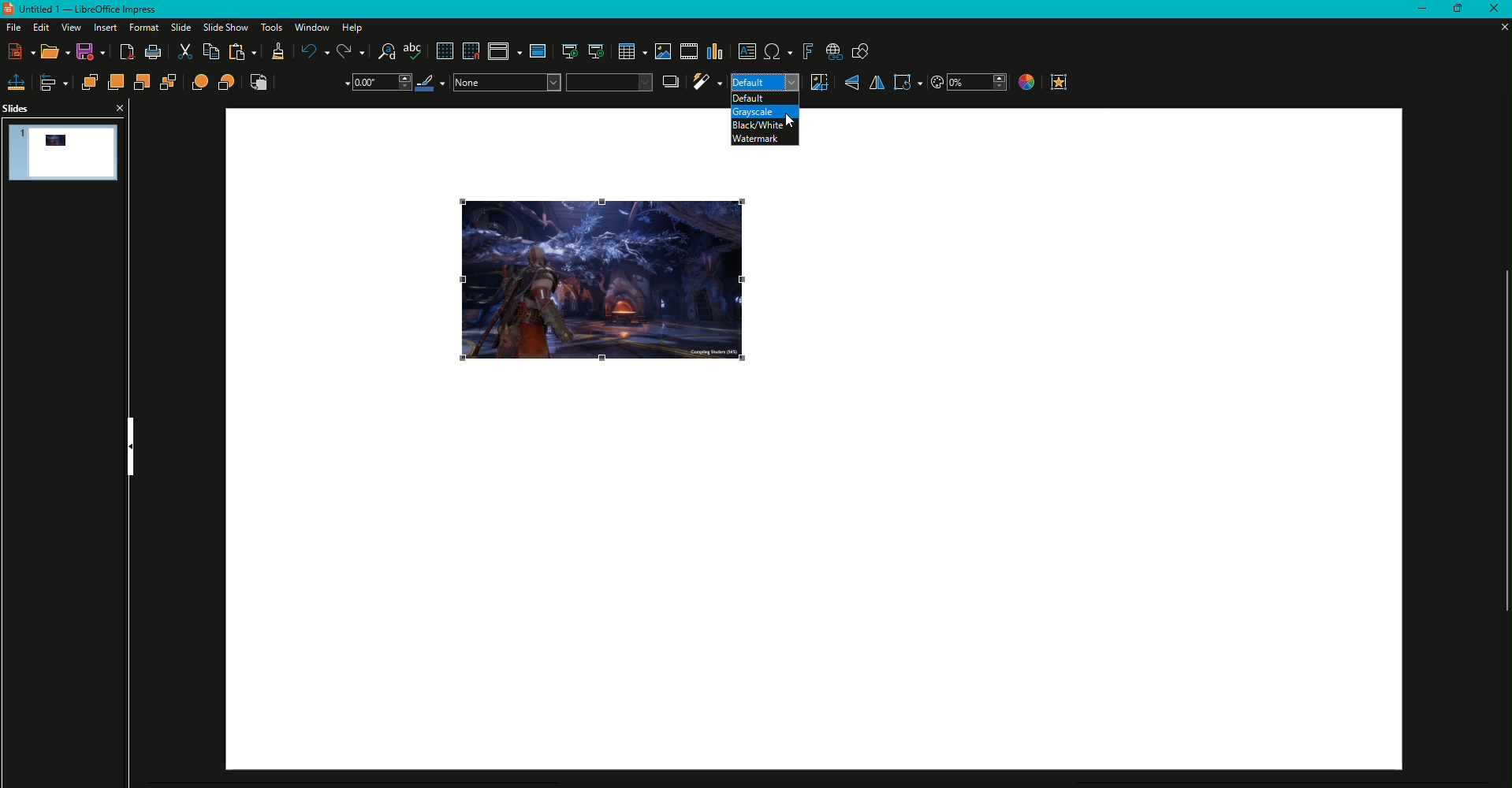 The width and height of the screenshot is (1512, 788). Describe the element at coordinates (143, 83) in the screenshot. I see `Backward` at that location.